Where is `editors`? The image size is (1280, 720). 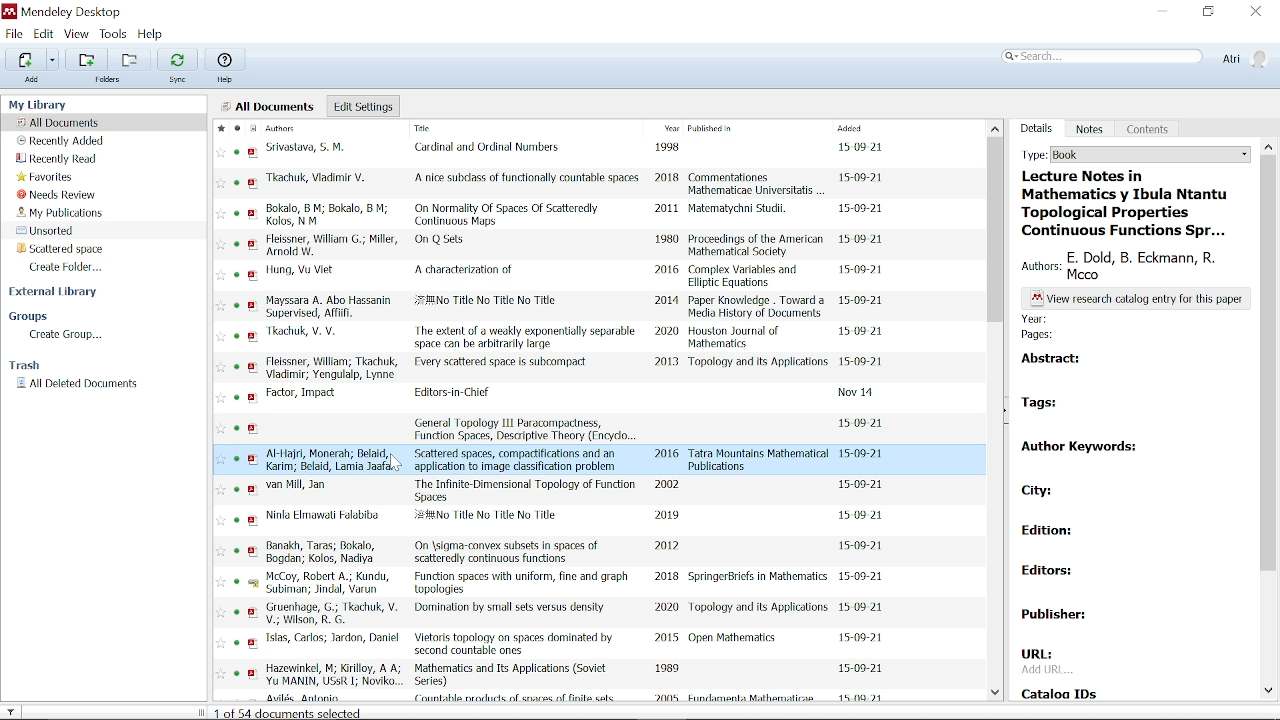 editors is located at coordinates (1061, 574).